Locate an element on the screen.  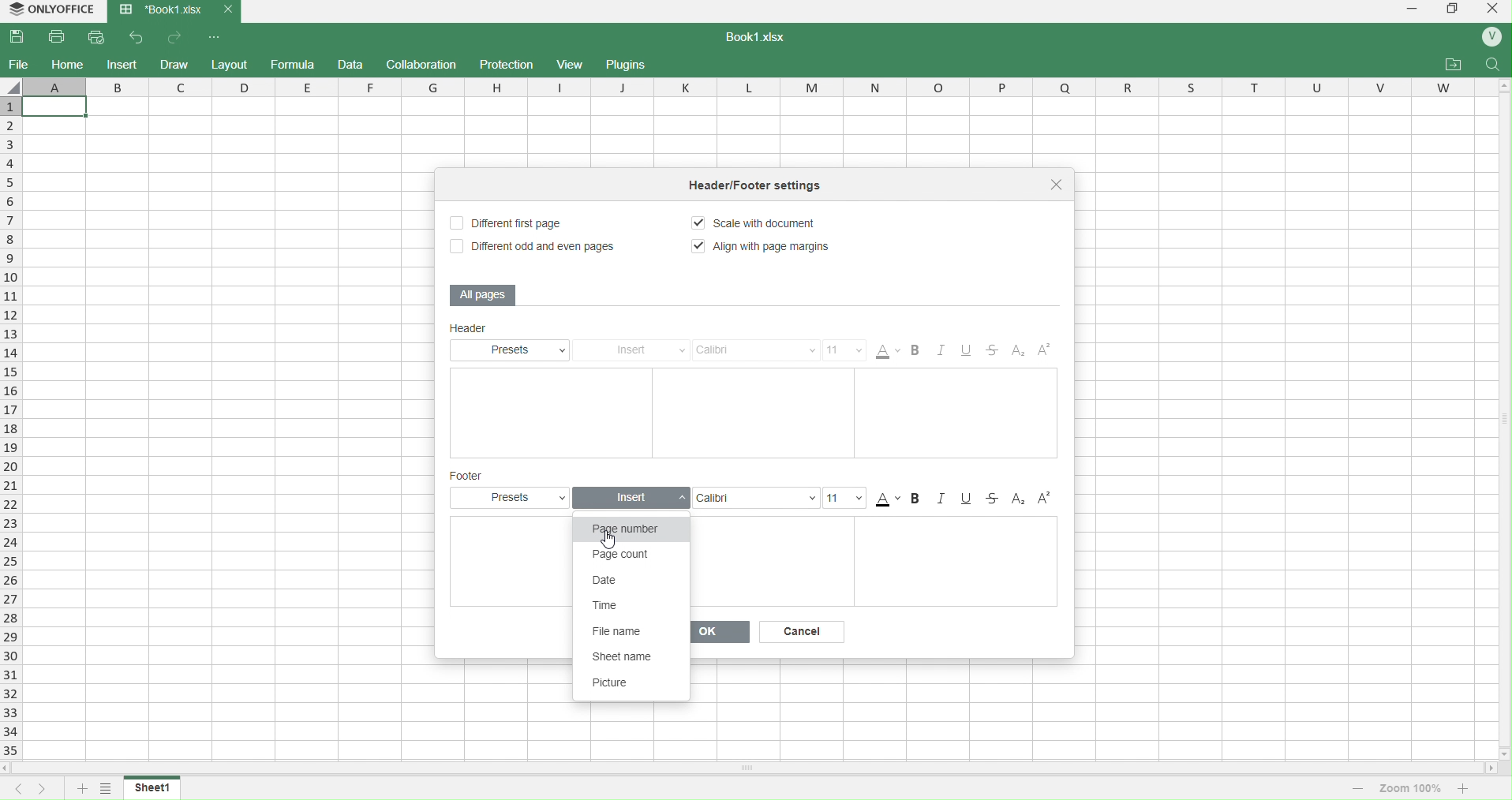
next sheet is located at coordinates (39, 789).